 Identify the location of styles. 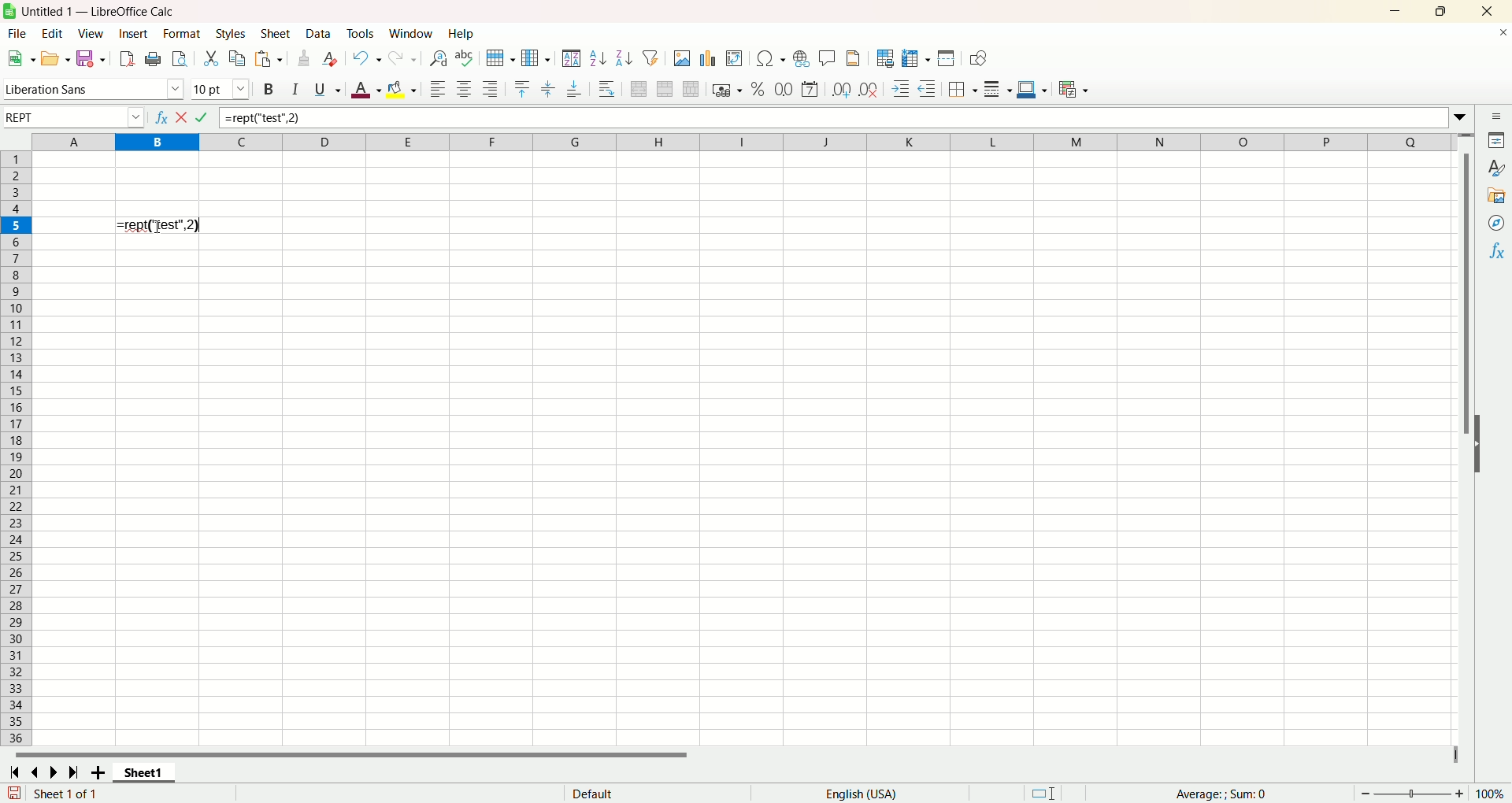
(231, 34).